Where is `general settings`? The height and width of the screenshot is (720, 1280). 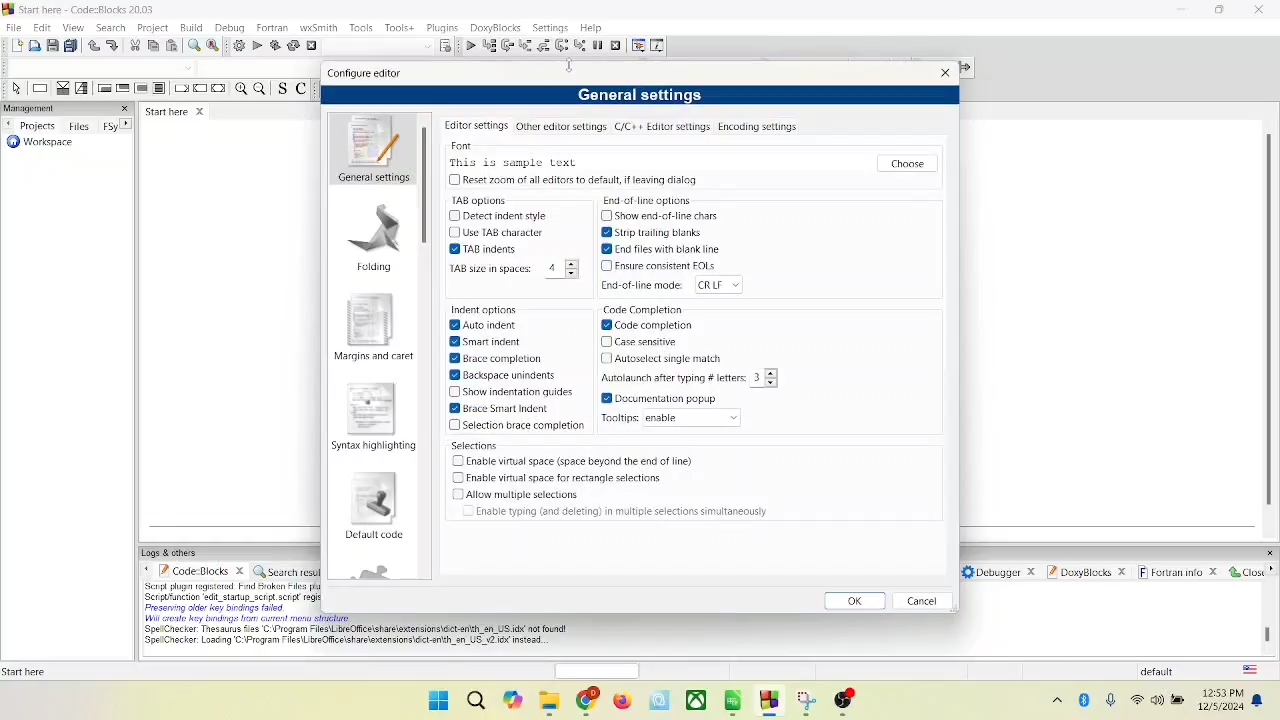 general settings is located at coordinates (644, 96).